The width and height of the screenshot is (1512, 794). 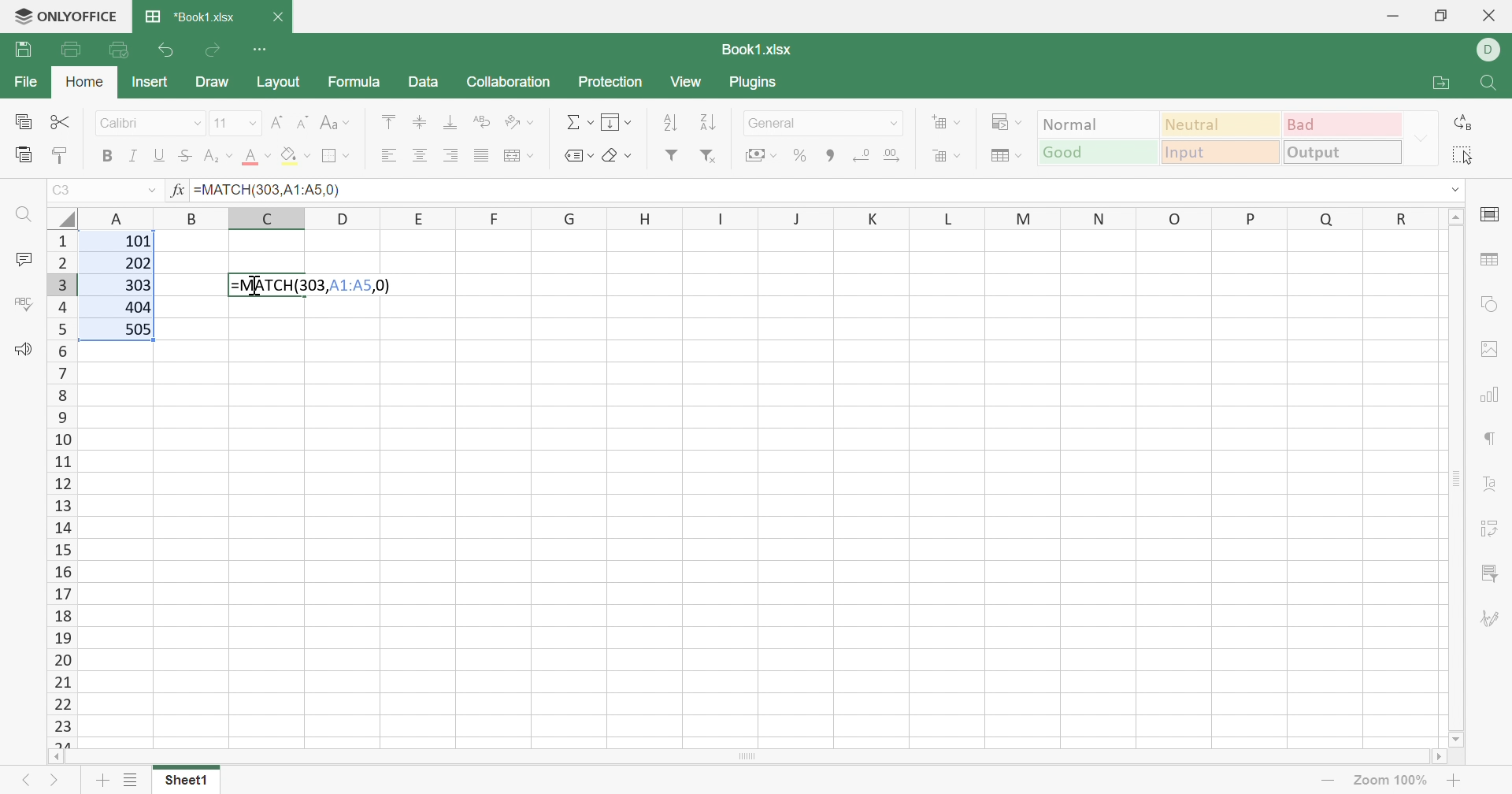 What do you see at coordinates (185, 157) in the screenshot?
I see `Strikethrough` at bounding box center [185, 157].